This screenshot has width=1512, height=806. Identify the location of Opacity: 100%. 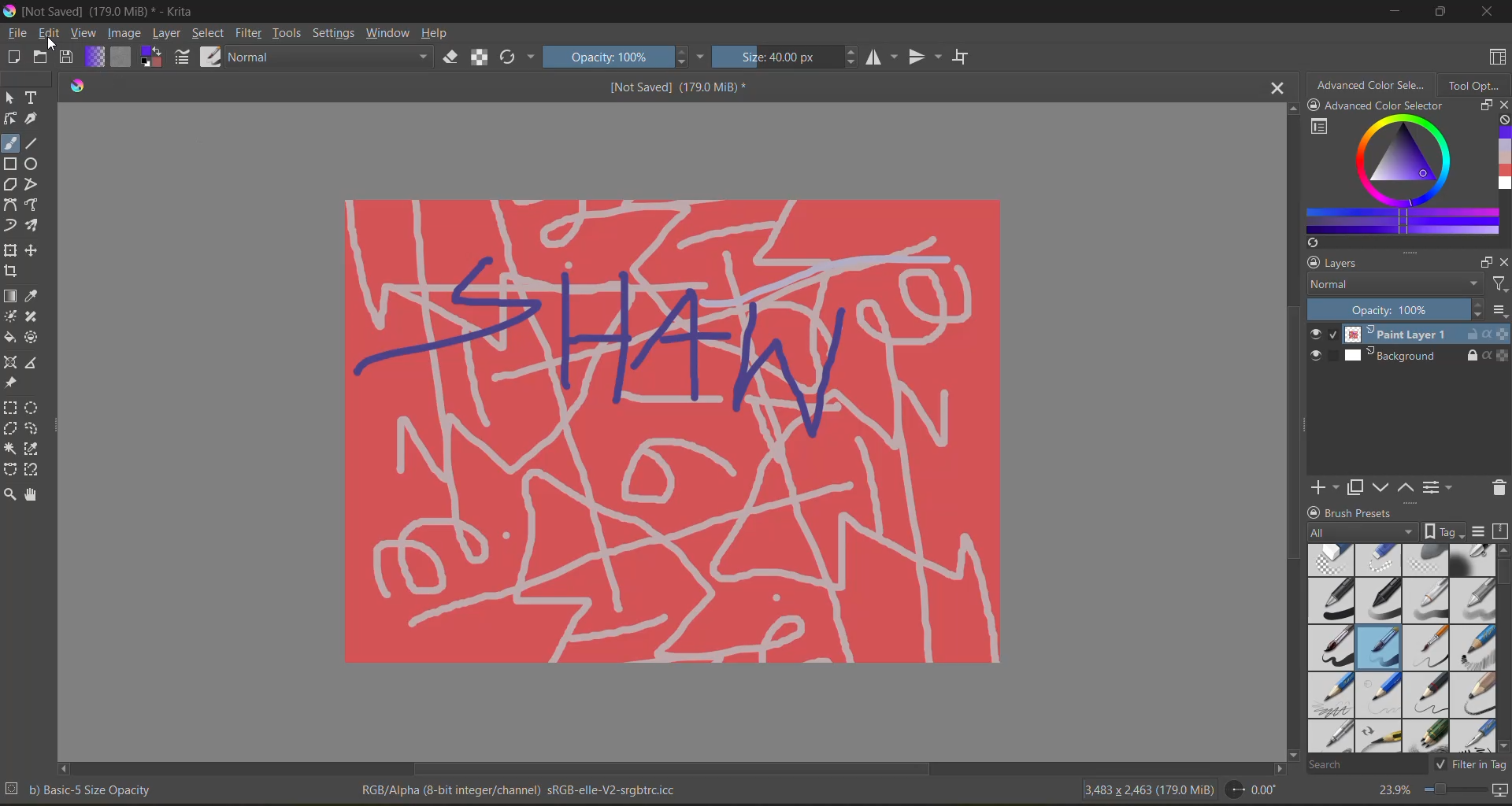
(1394, 310).